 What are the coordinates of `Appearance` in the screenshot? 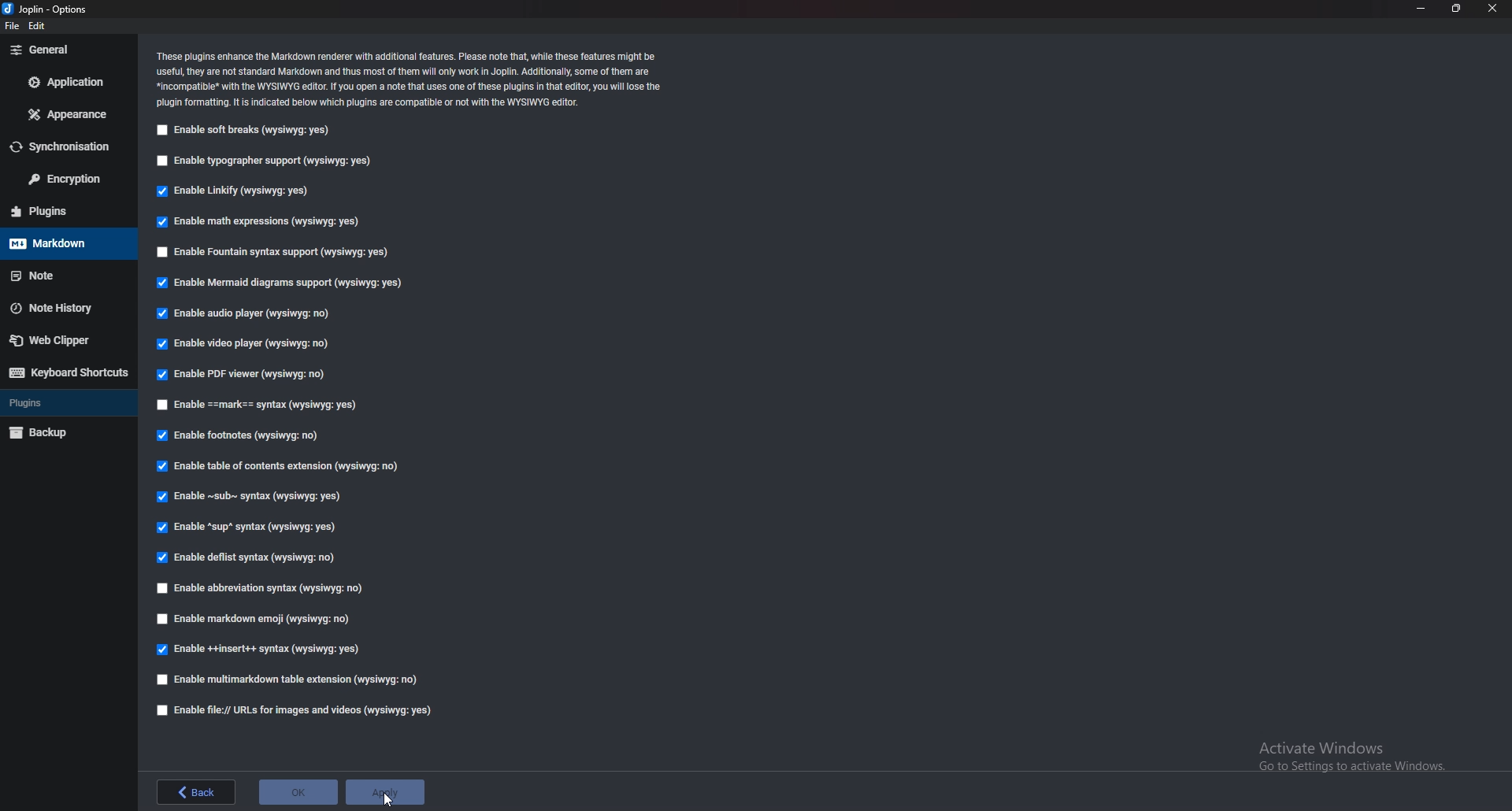 It's located at (64, 114).